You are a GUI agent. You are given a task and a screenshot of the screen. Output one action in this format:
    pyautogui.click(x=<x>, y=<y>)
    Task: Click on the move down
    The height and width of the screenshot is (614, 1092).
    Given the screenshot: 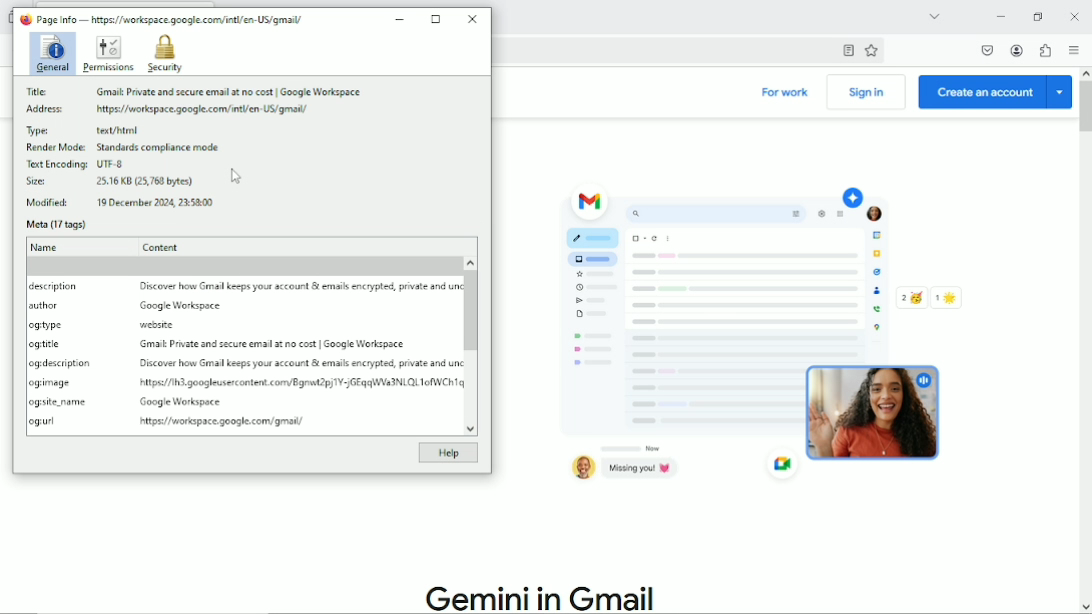 What is the action you would take?
    pyautogui.click(x=1085, y=607)
    